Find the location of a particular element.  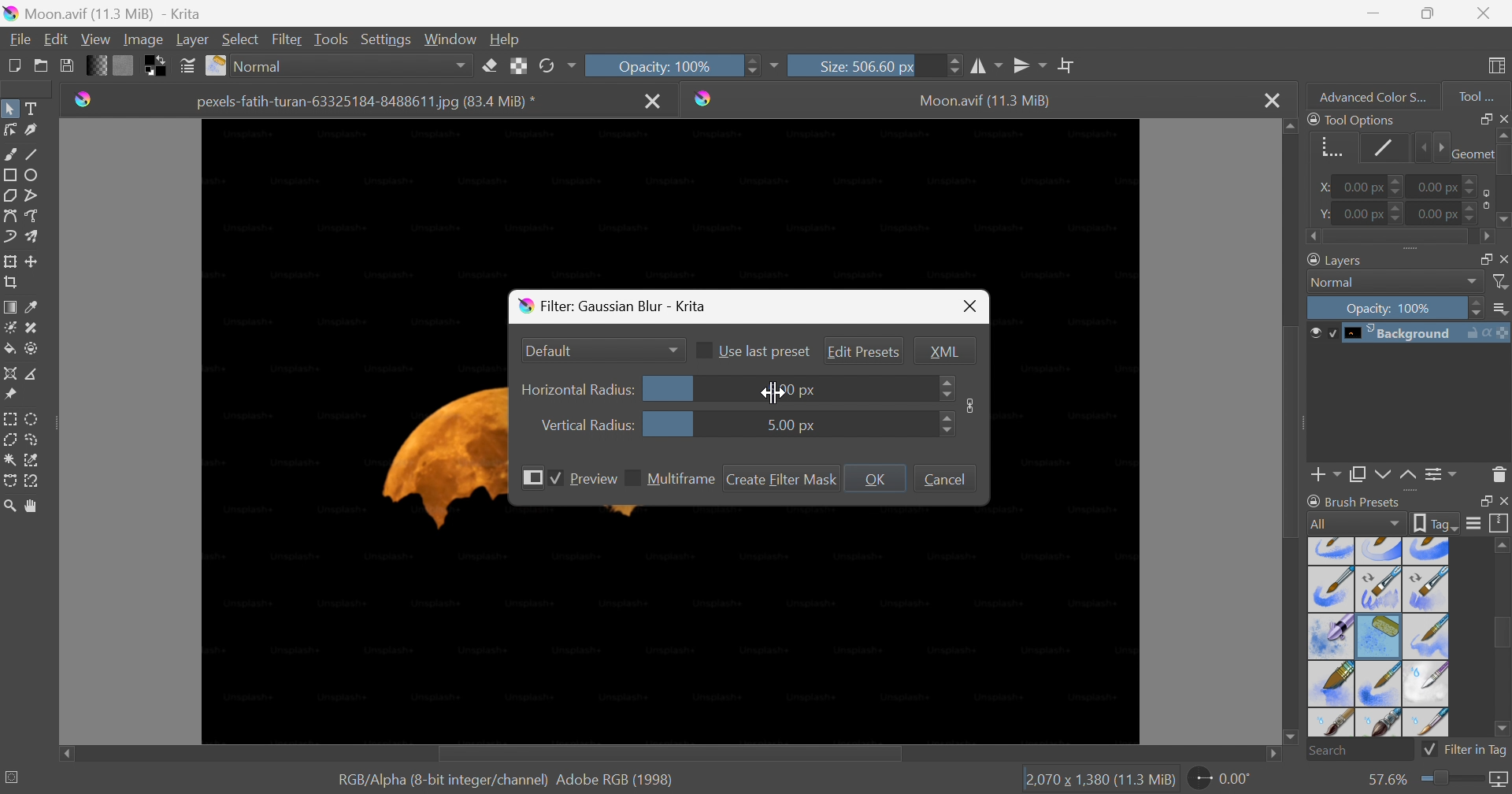

Line tool is located at coordinates (32, 150).